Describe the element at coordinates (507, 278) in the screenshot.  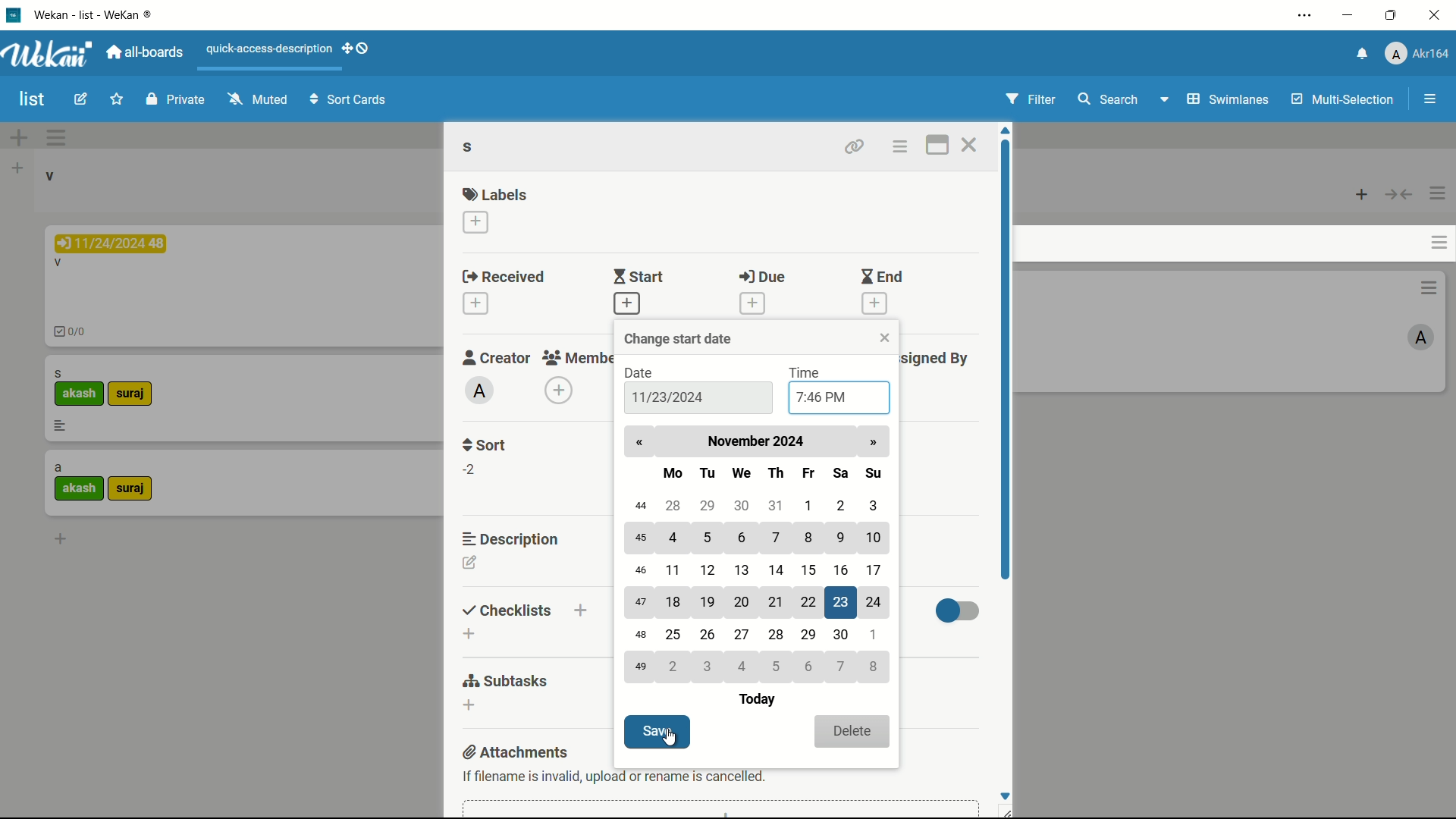
I see `received` at that location.